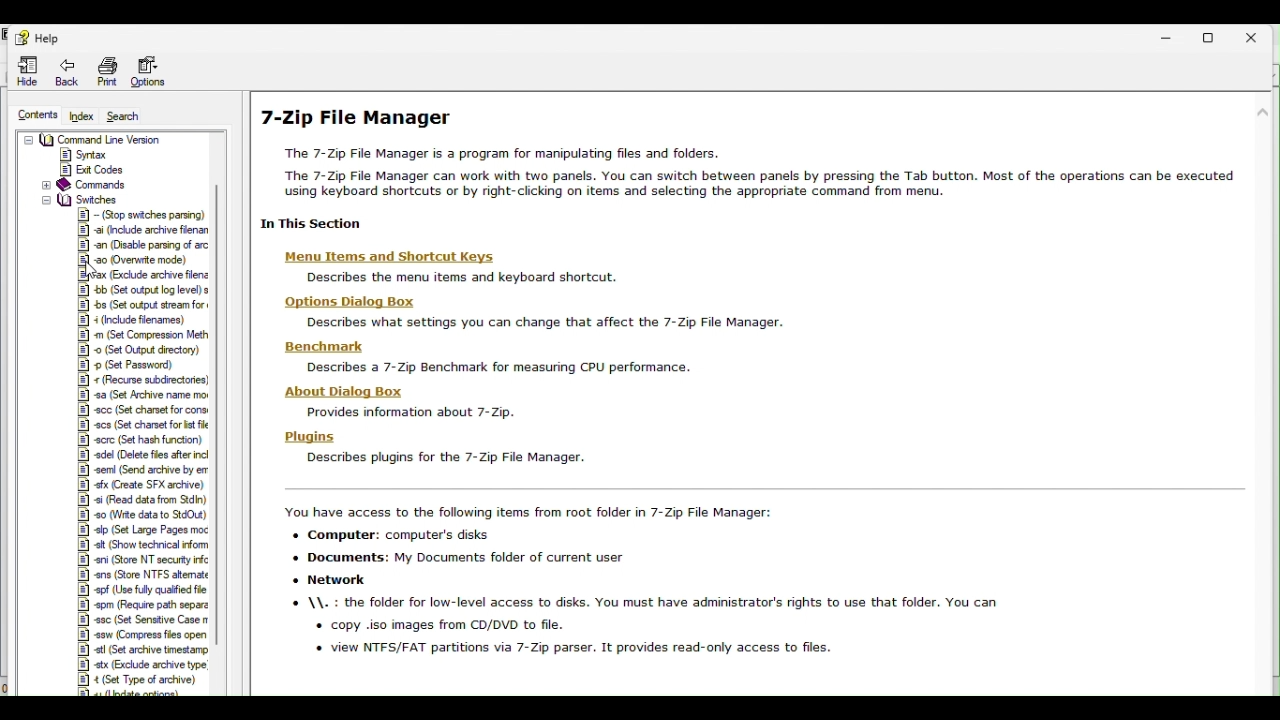 This screenshot has height=720, width=1280. I want to click on 8] bs (Set output stream for, so click(142, 304).